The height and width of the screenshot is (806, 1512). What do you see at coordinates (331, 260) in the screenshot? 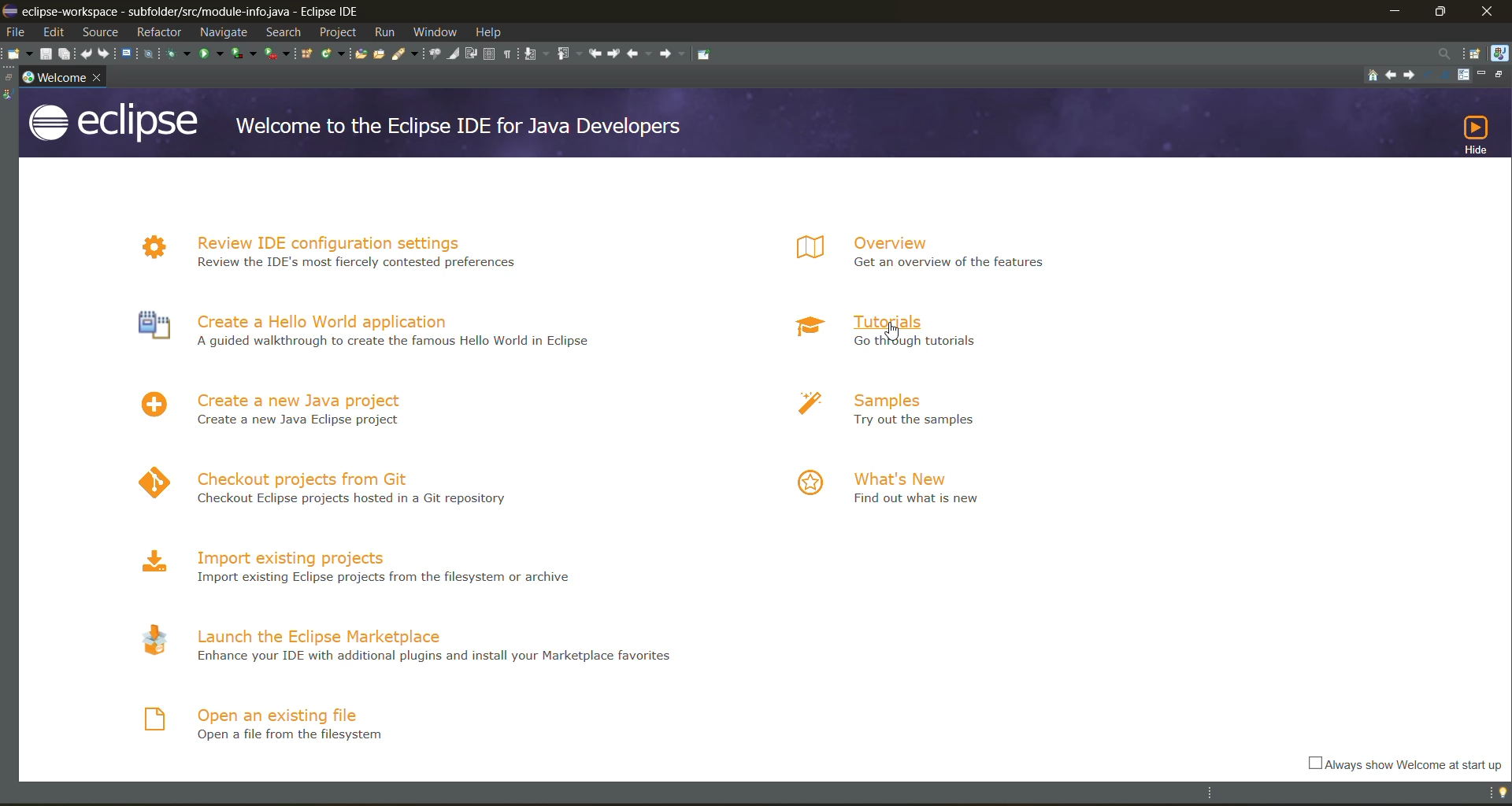
I see `review IDE configuration settings` at bounding box center [331, 260].